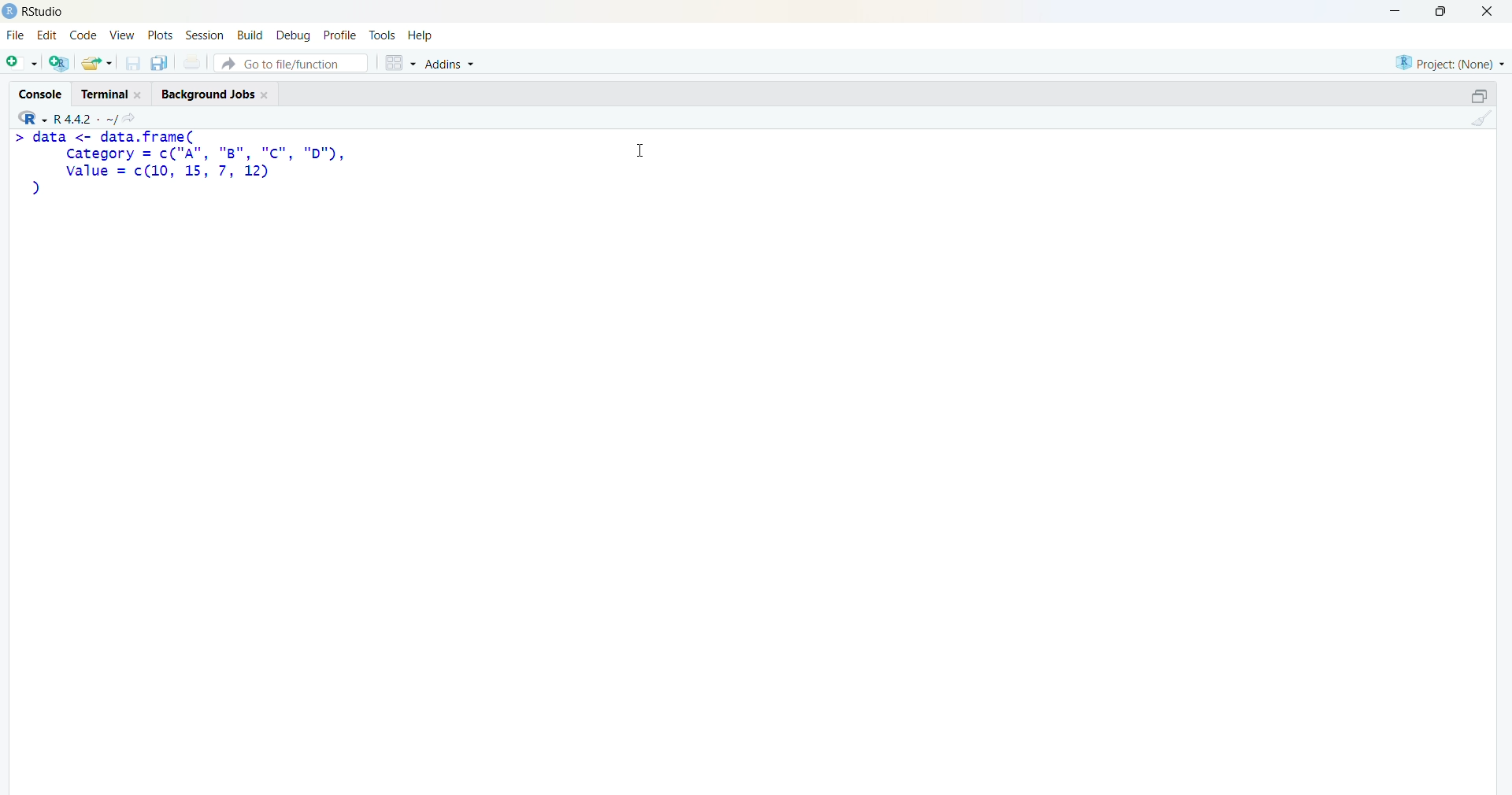  Describe the element at coordinates (34, 118) in the screenshot. I see `R language` at that location.